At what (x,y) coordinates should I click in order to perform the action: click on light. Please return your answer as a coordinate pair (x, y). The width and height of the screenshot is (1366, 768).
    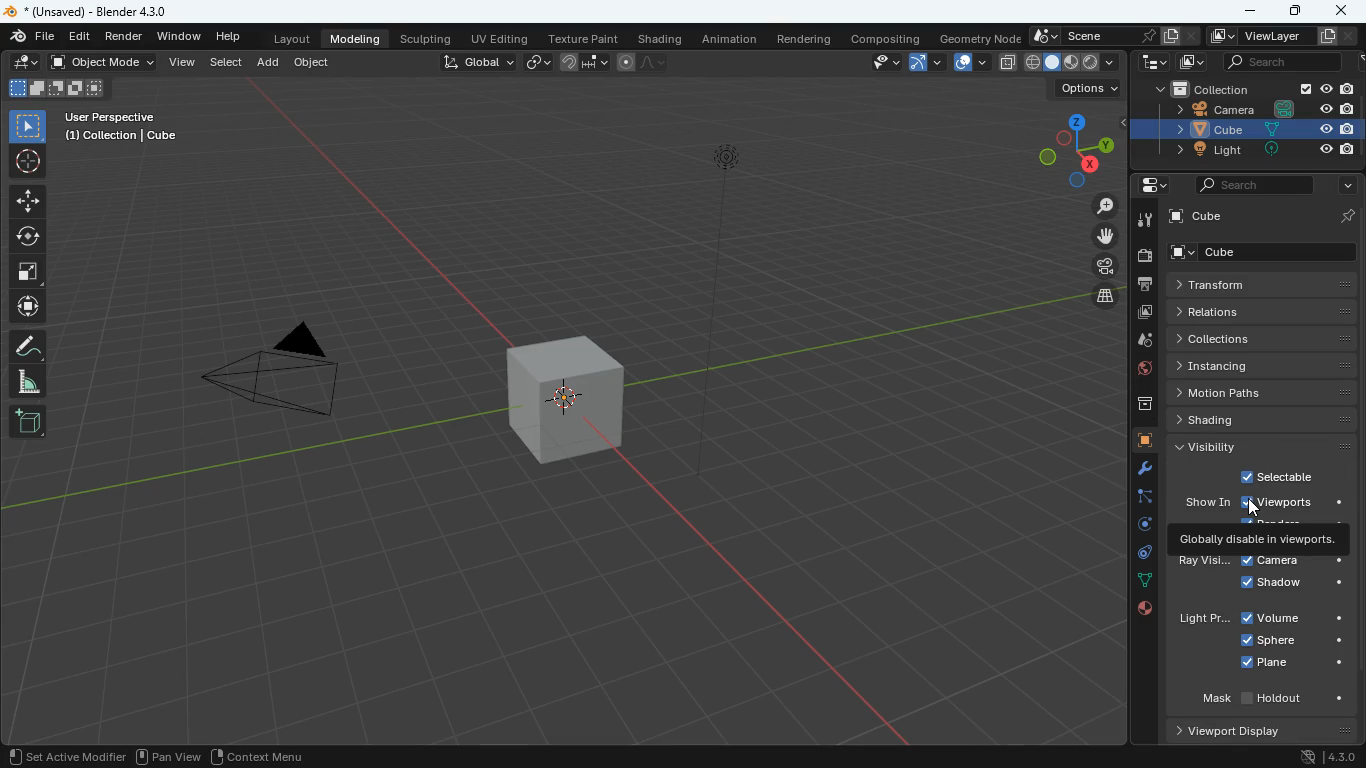
    Looking at the image, I should click on (1205, 620).